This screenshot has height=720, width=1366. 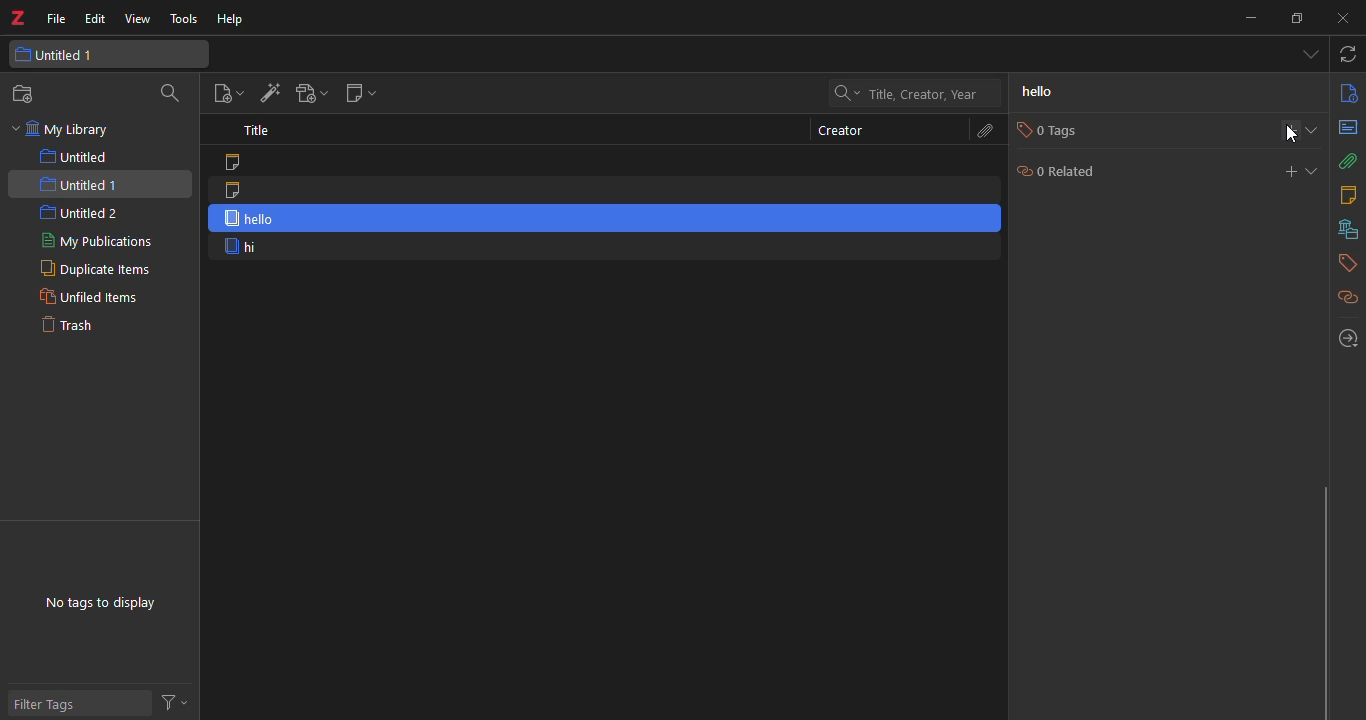 What do you see at coordinates (67, 130) in the screenshot?
I see `my library` at bounding box center [67, 130].